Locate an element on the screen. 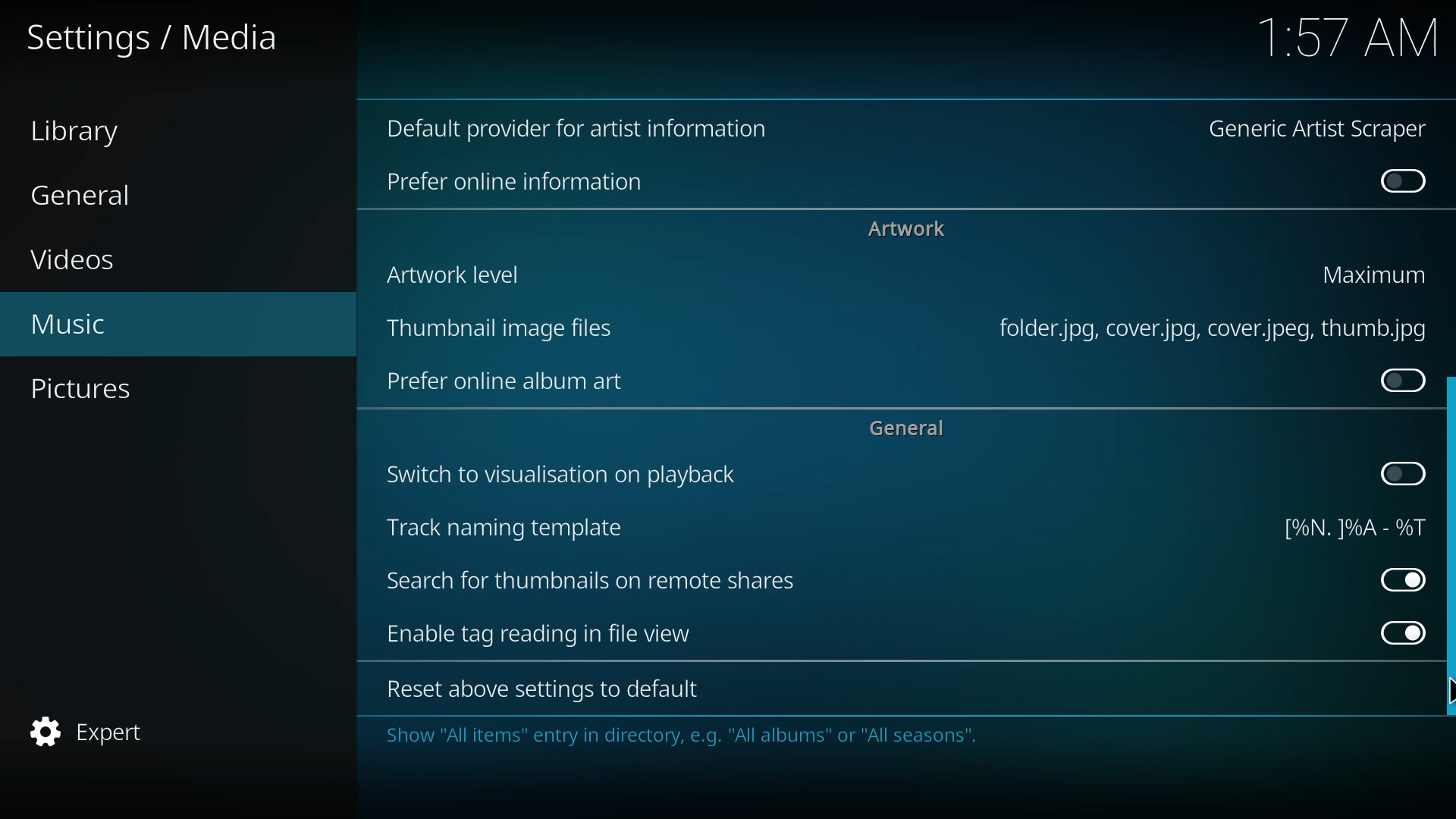 This screenshot has width=1456, height=819. artwork level is located at coordinates (447, 273).